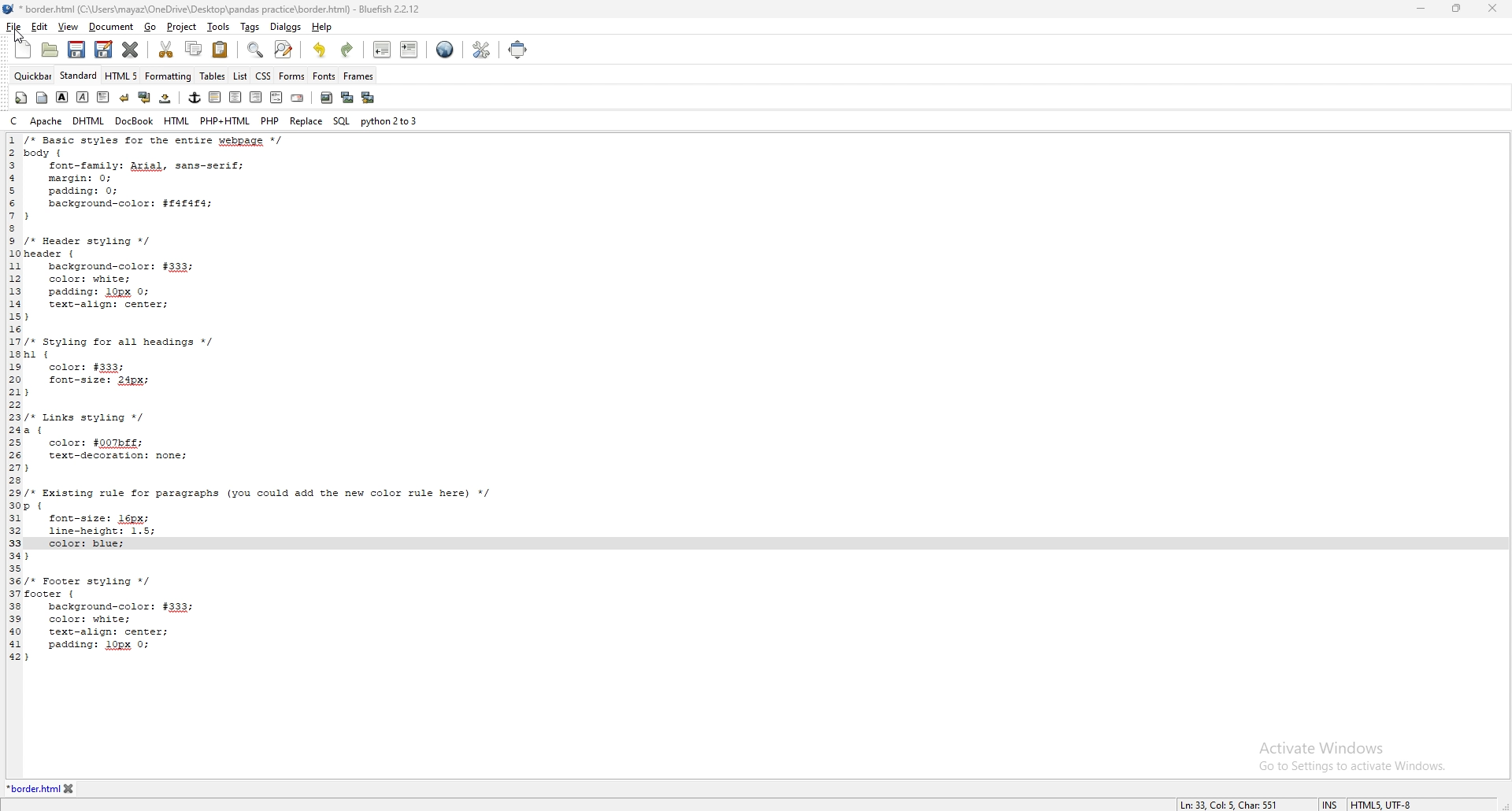 The image size is (1512, 811). What do you see at coordinates (237, 98) in the screenshot?
I see `center` at bounding box center [237, 98].